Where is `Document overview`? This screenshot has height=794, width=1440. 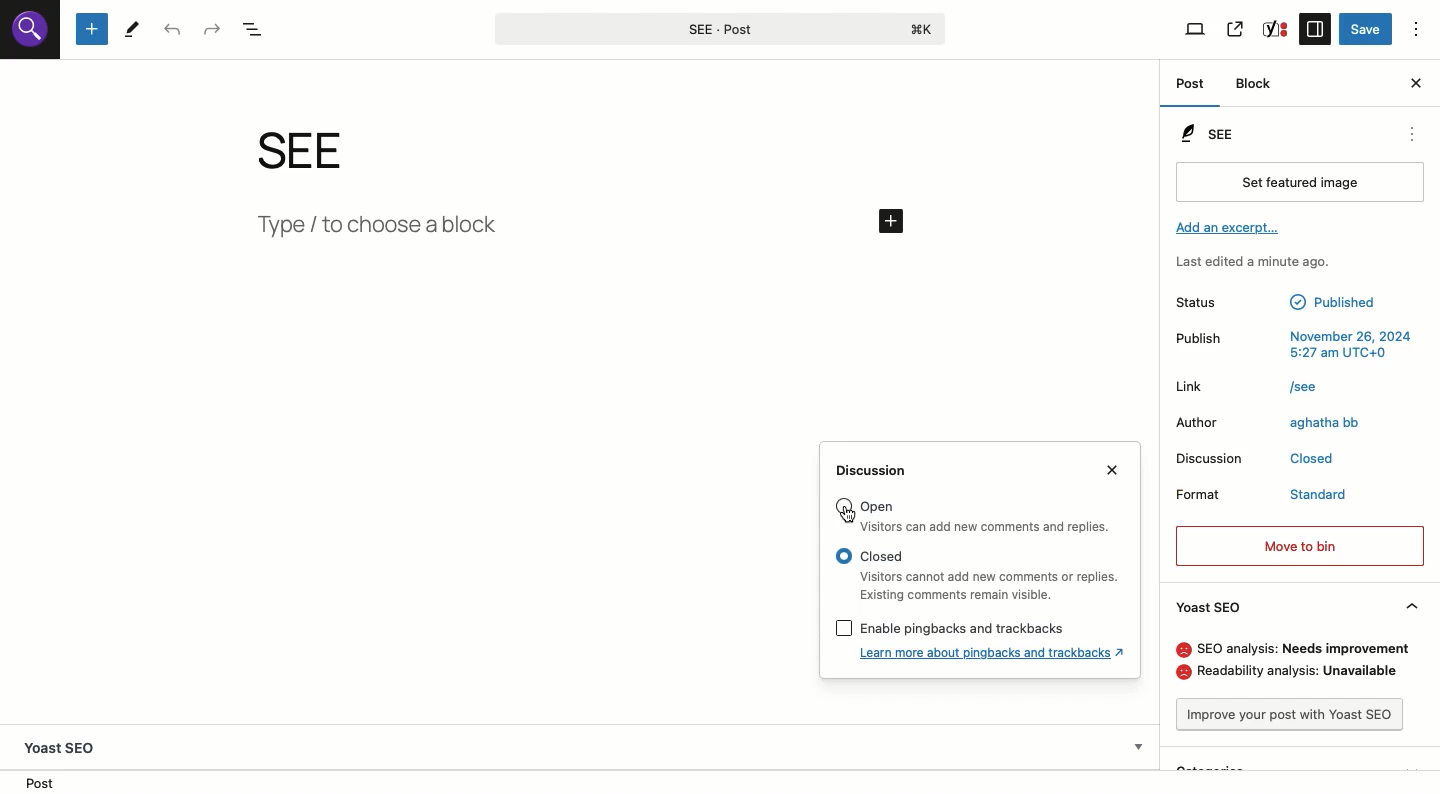
Document overview is located at coordinates (256, 28).